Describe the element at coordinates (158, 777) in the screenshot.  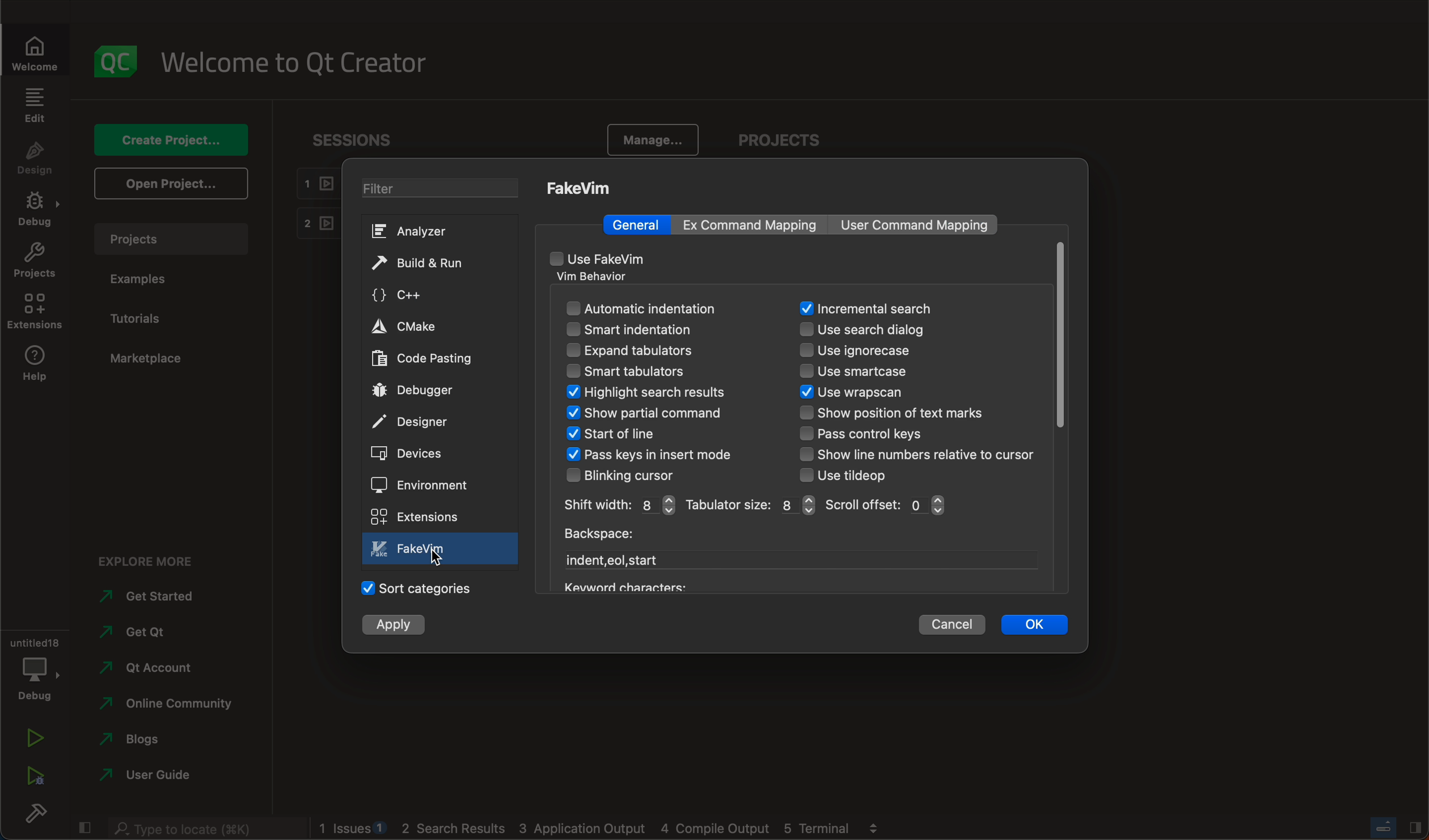
I see `user guide` at that location.